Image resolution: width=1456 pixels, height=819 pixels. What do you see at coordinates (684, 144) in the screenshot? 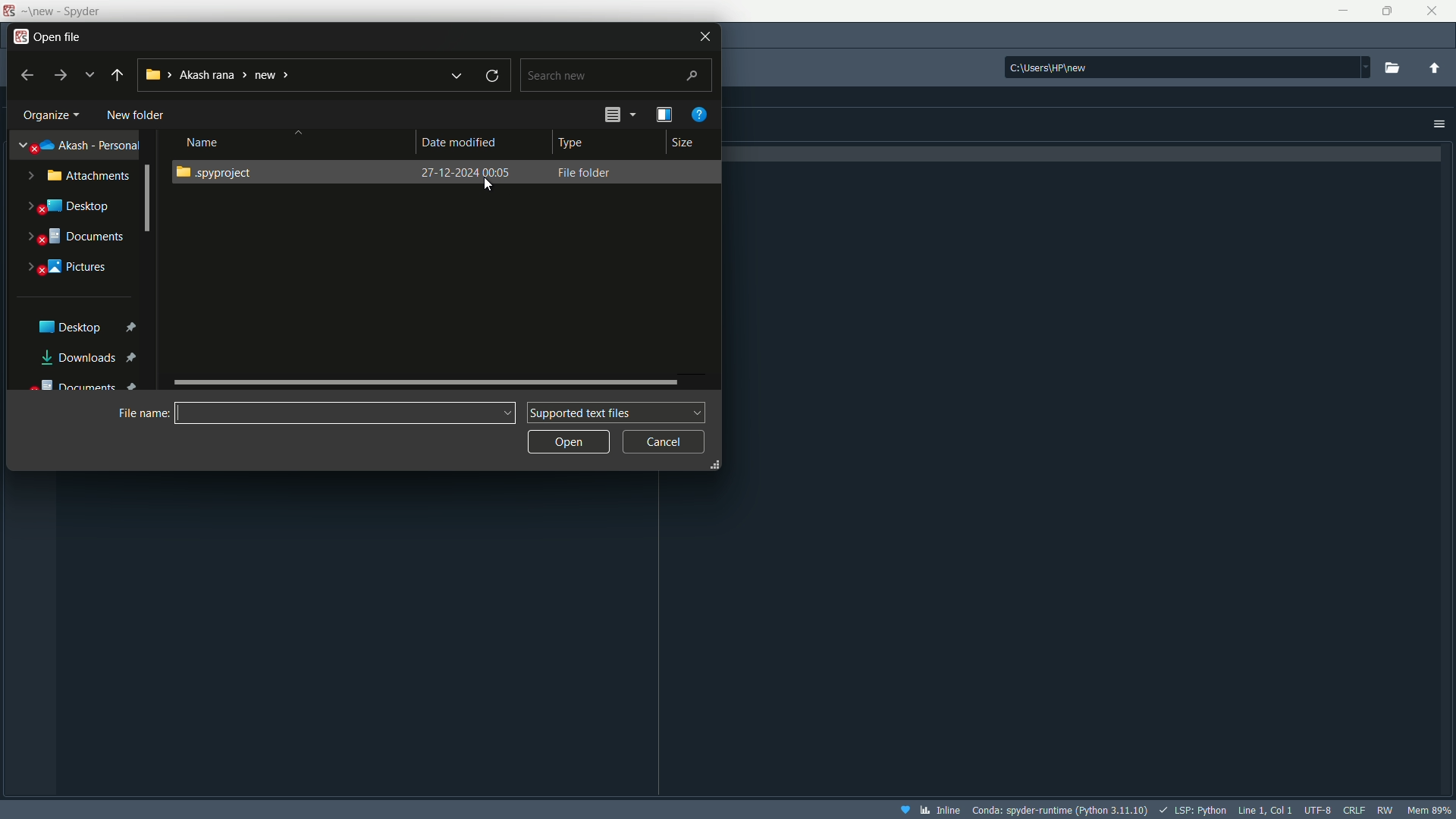
I see `Size` at bounding box center [684, 144].